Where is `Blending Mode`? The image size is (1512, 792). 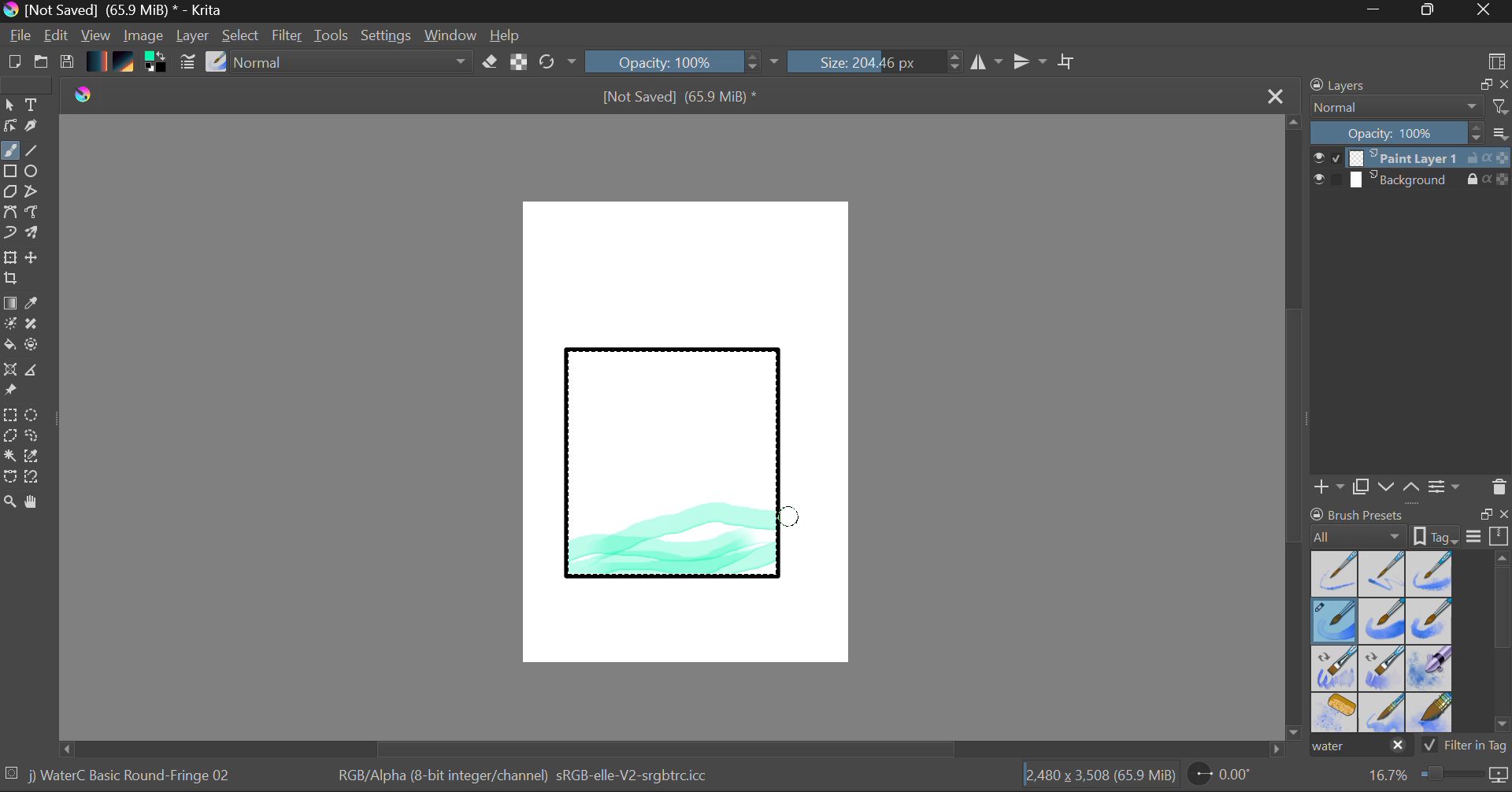
Blending Mode is located at coordinates (1410, 107).